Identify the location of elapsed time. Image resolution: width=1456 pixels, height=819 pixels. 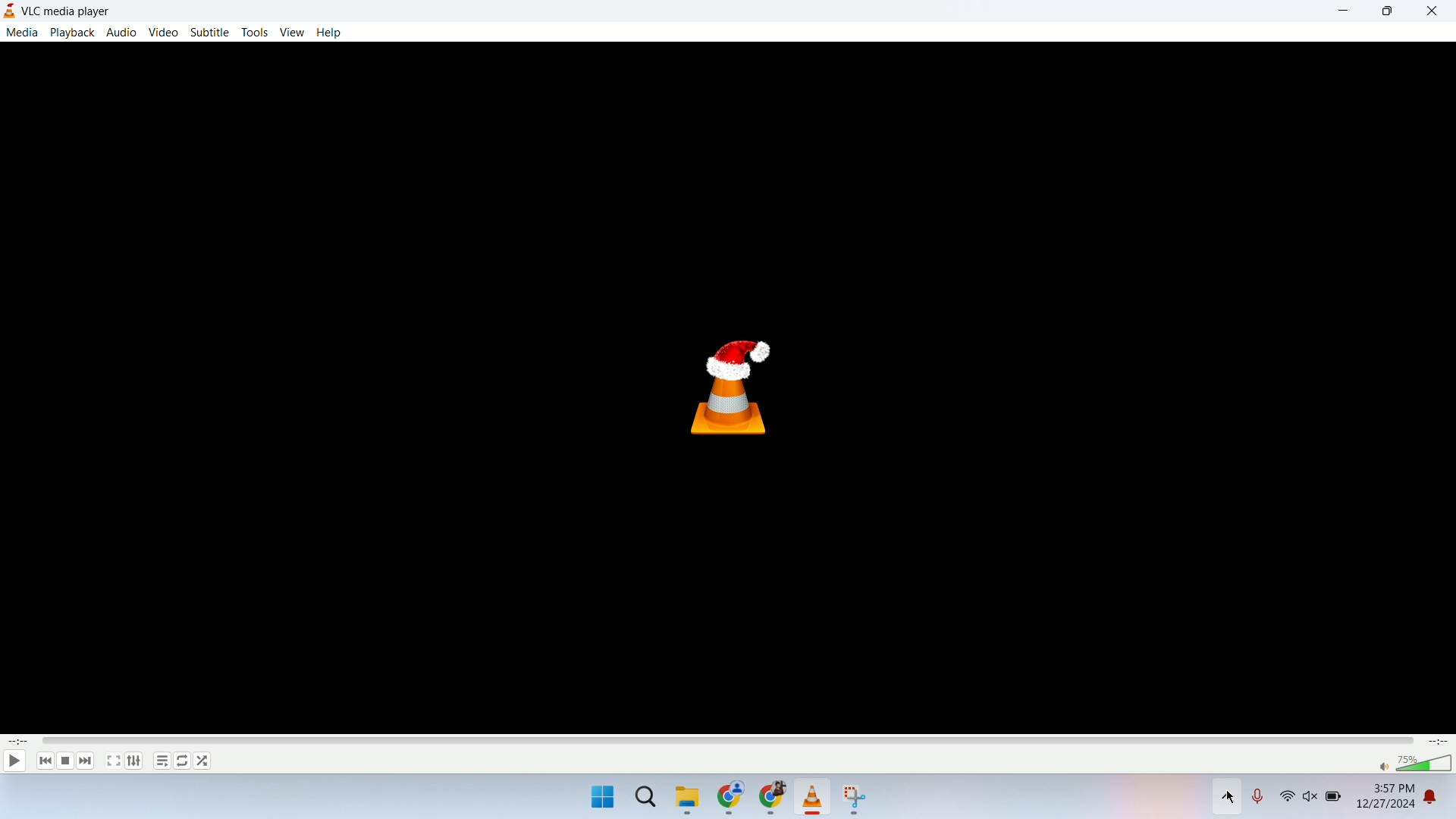
(17, 742).